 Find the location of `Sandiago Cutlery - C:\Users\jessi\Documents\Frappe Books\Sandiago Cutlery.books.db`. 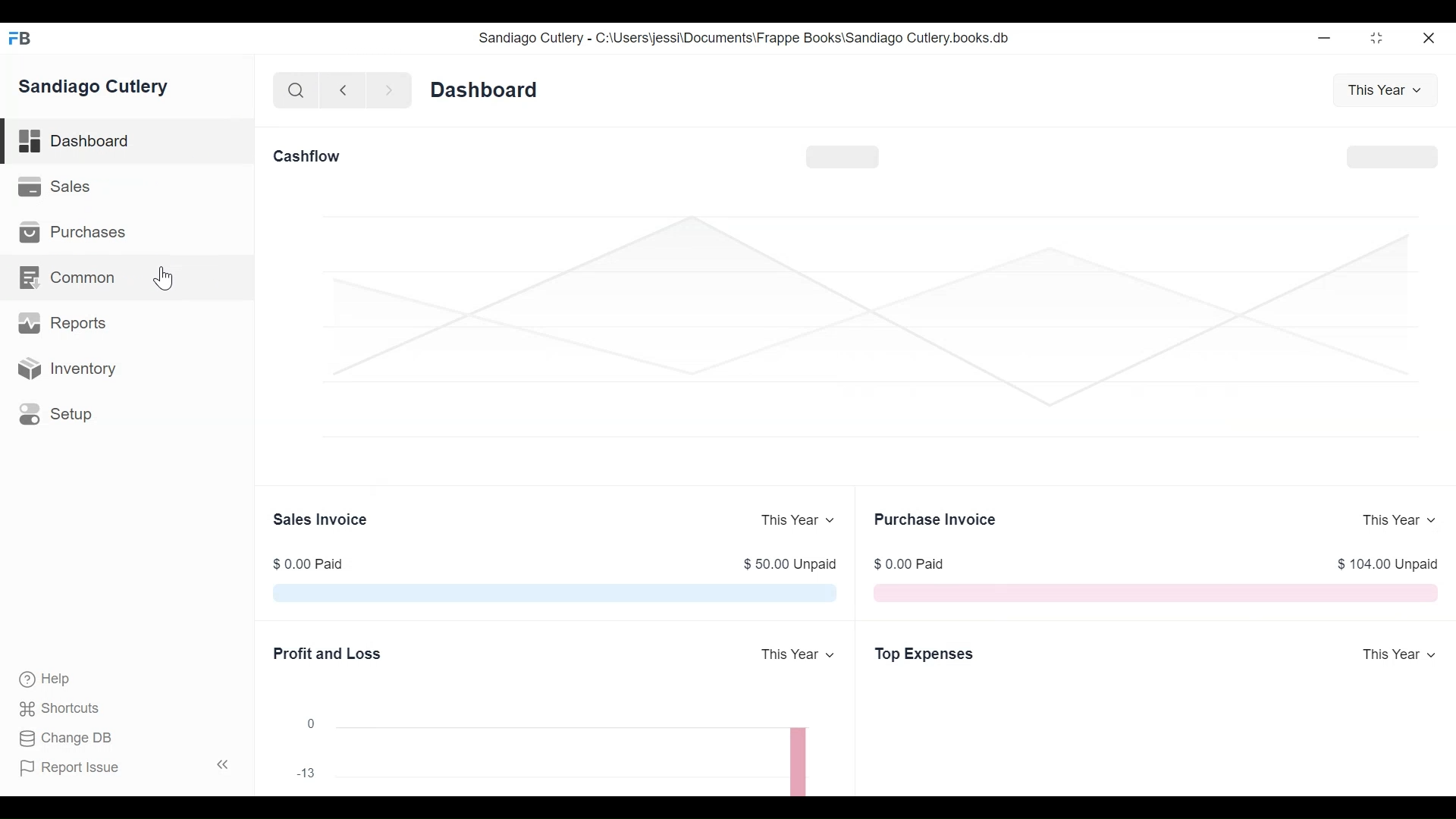

Sandiago Cutlery - C:\Users\jessi\Documents\Frappe Books\Sandiago Cutlery.books.db is located at coordinates (745, 38).